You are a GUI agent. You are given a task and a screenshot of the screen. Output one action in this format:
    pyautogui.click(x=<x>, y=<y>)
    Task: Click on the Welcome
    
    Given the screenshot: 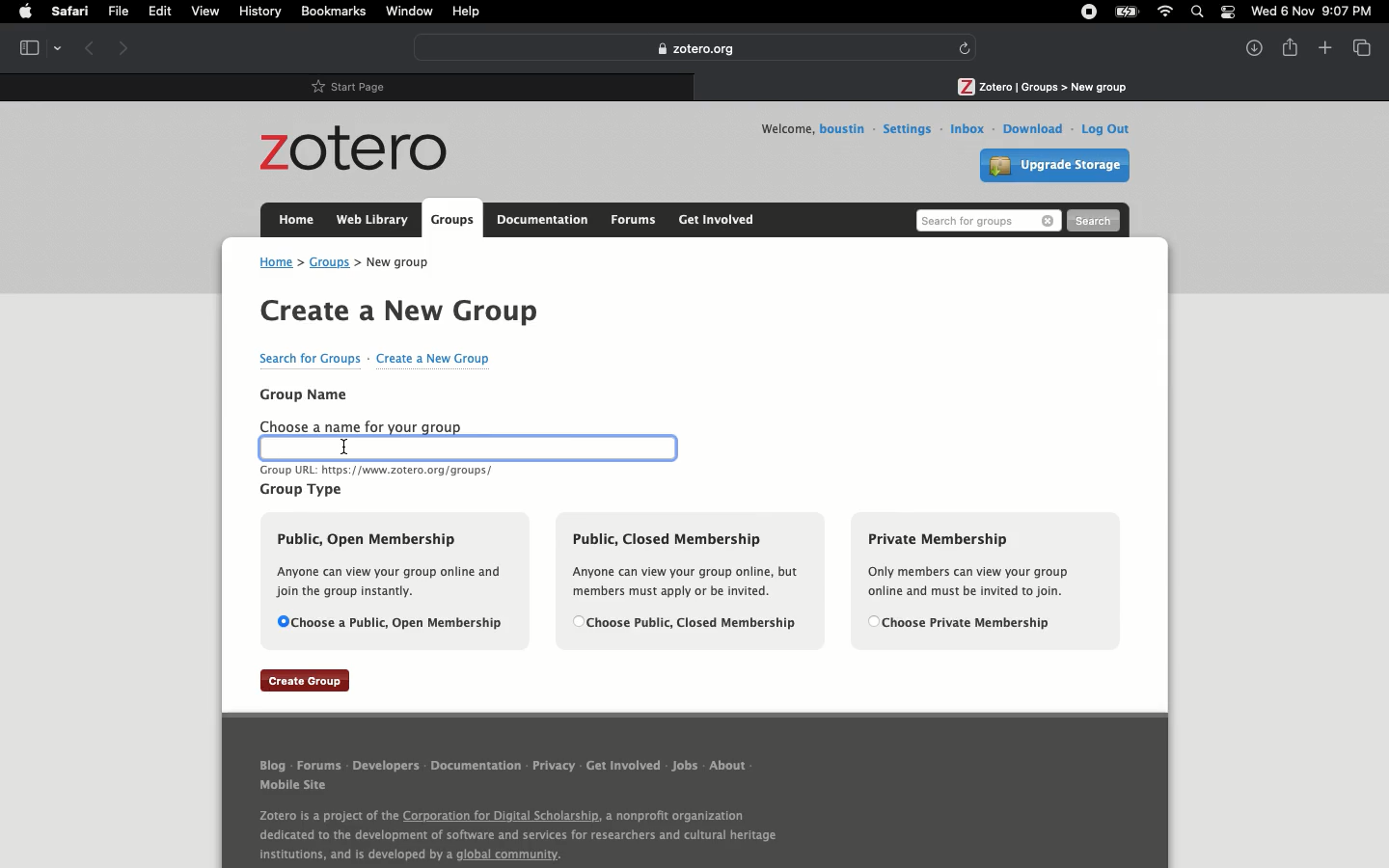 What is the action you would take?
    pyautogui.click(x=781, y=128)
    